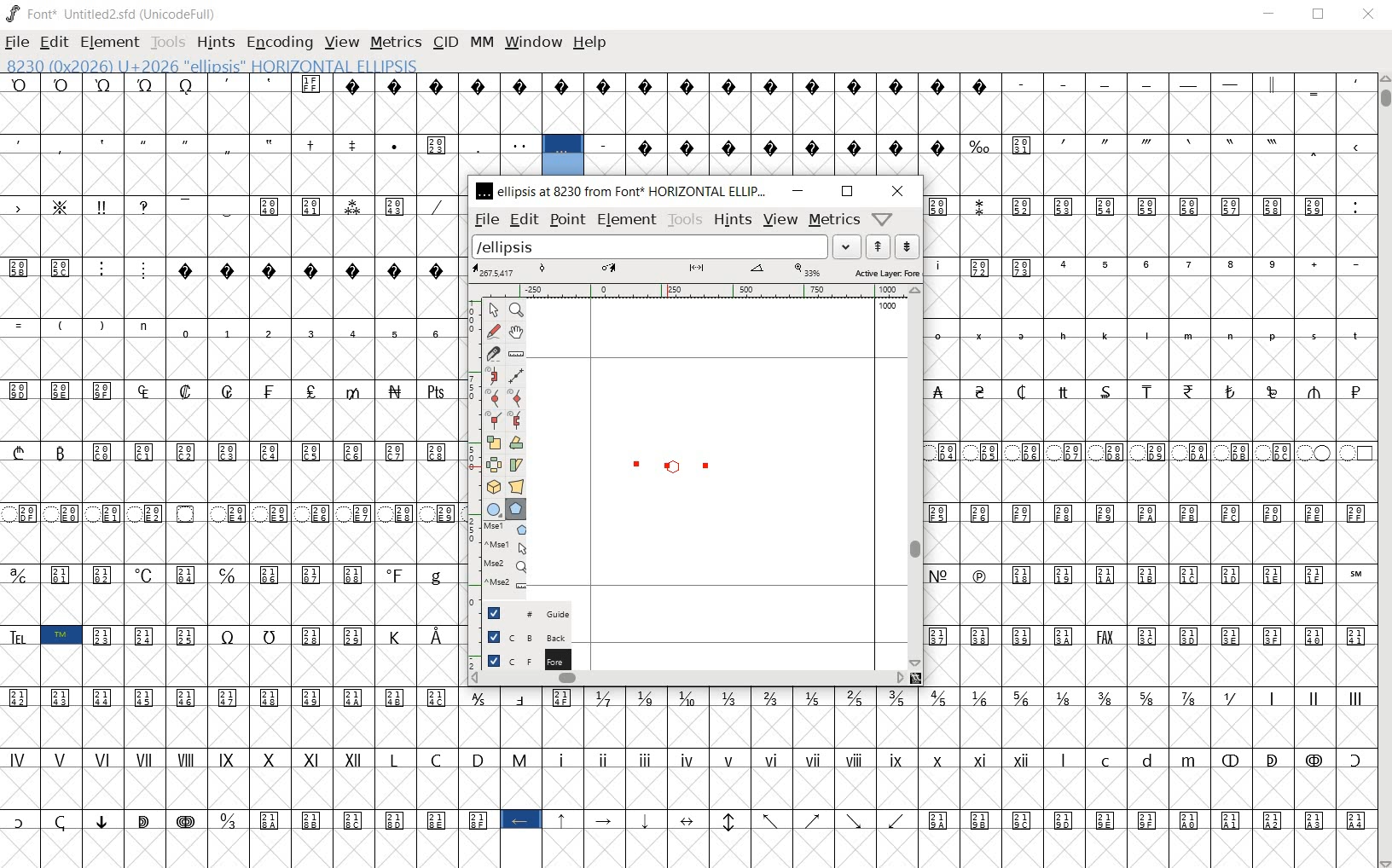 This screenshot has width=1392, height=868. I want to click on CID, so click(445, 43).